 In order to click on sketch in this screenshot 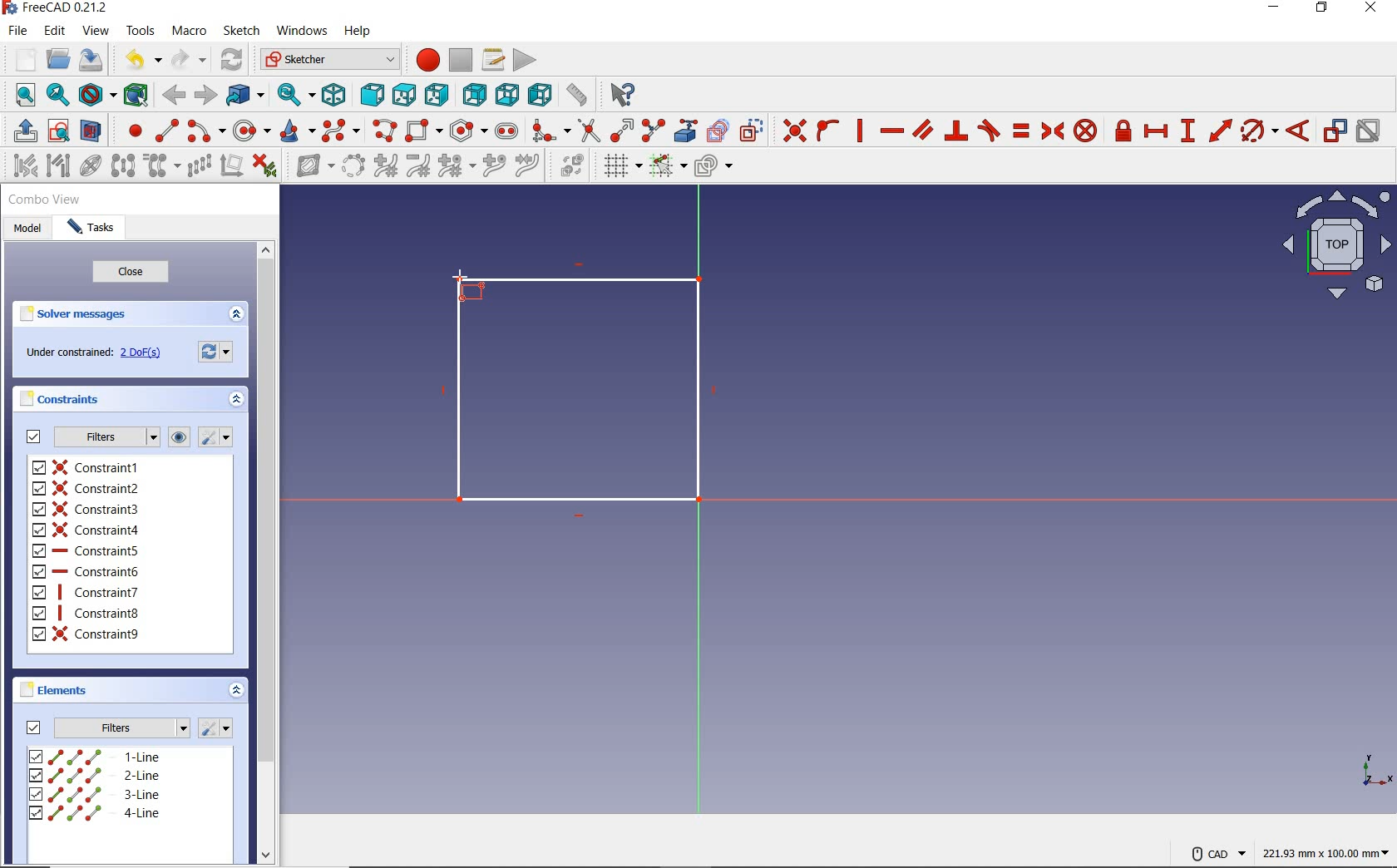, I will do `click(243, 31)`.